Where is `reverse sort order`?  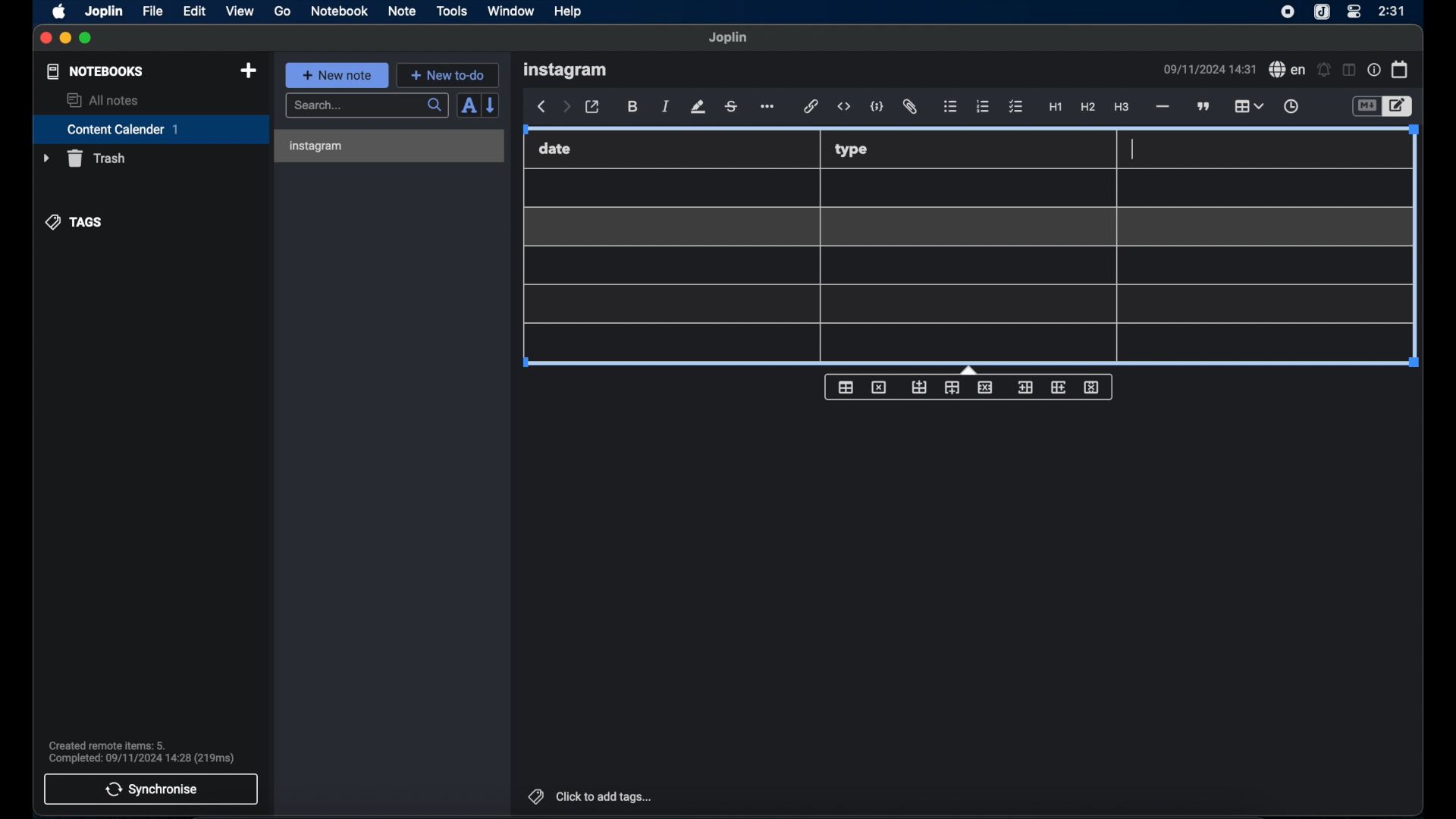 reverse sort order is located at coordinates (491, 105).